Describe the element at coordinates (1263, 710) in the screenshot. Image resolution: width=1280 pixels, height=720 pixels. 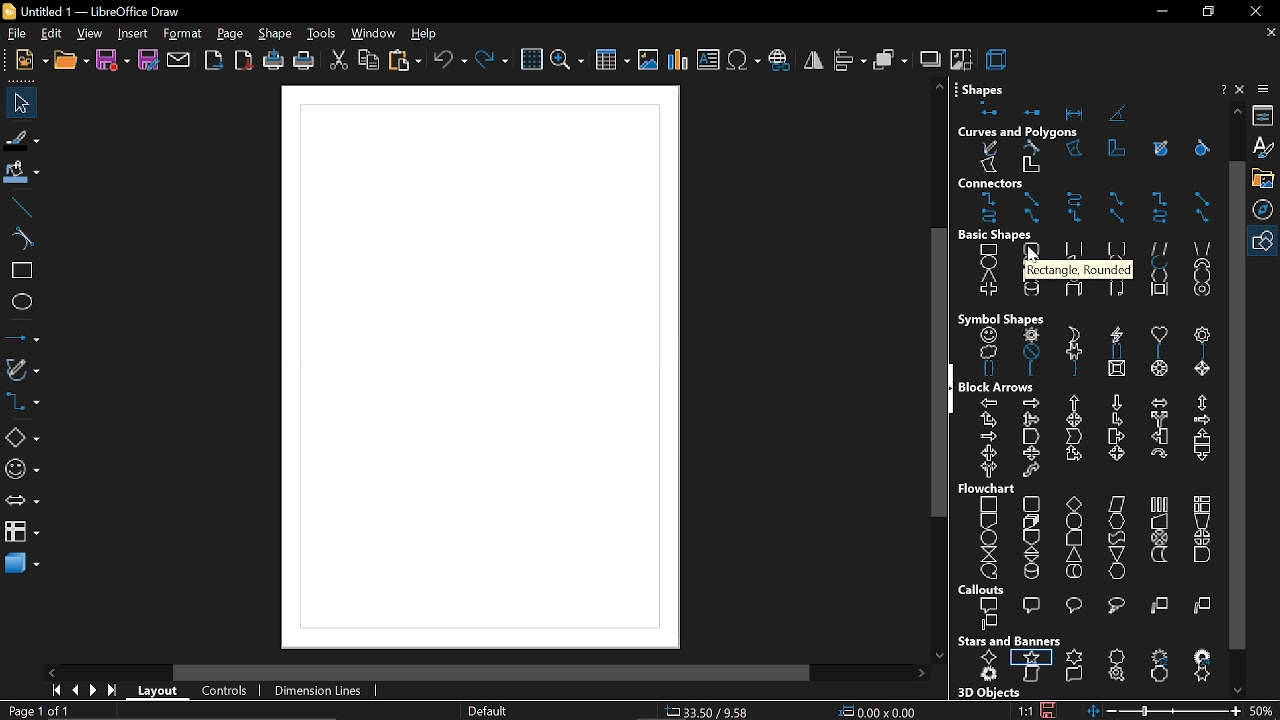
I see `current zoom` at that location.